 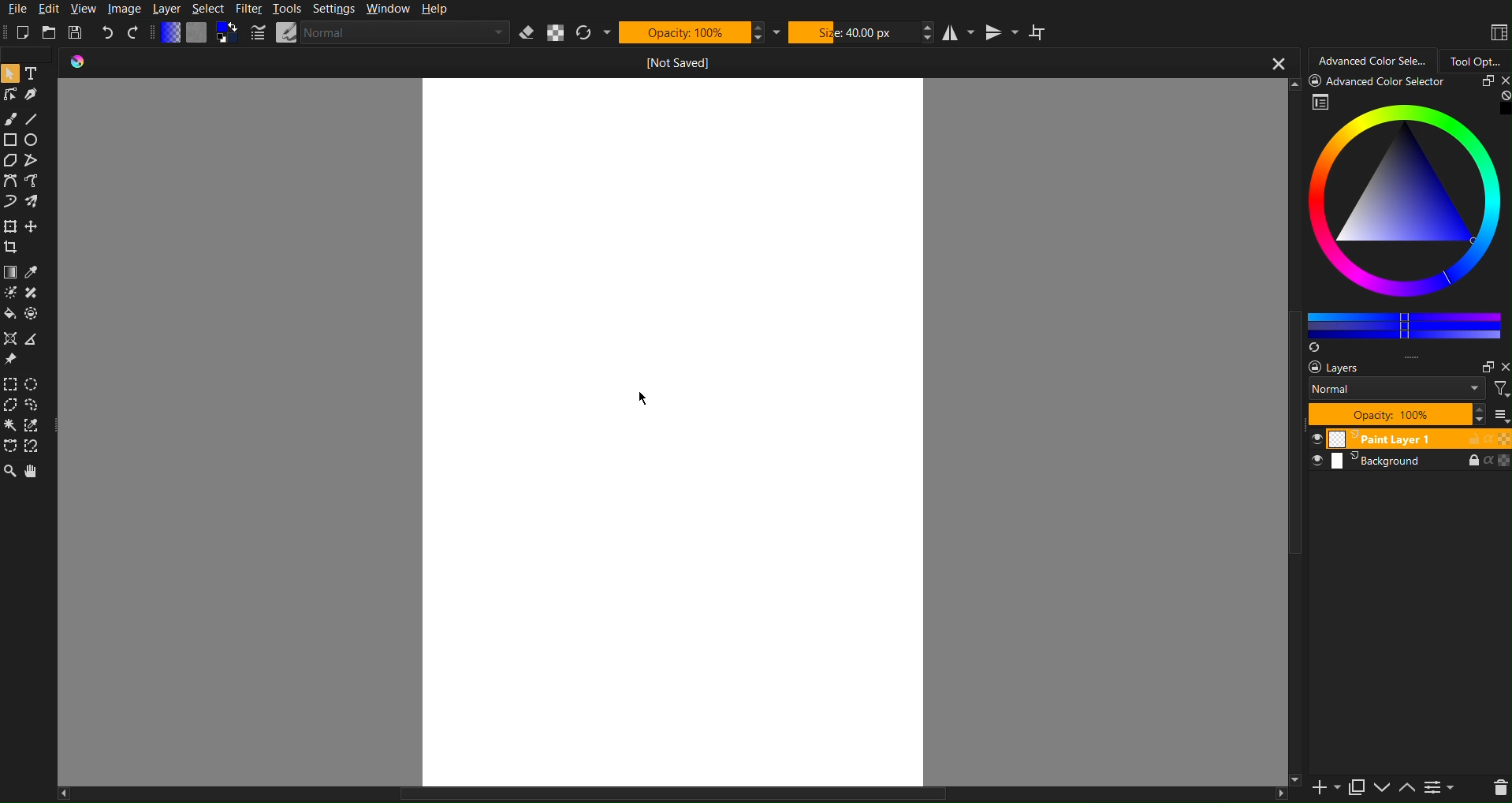 What do you see at coordinates (1354, 783) in the screenshot?
I see `Copy Layer` at bounding box center [1354, 783].